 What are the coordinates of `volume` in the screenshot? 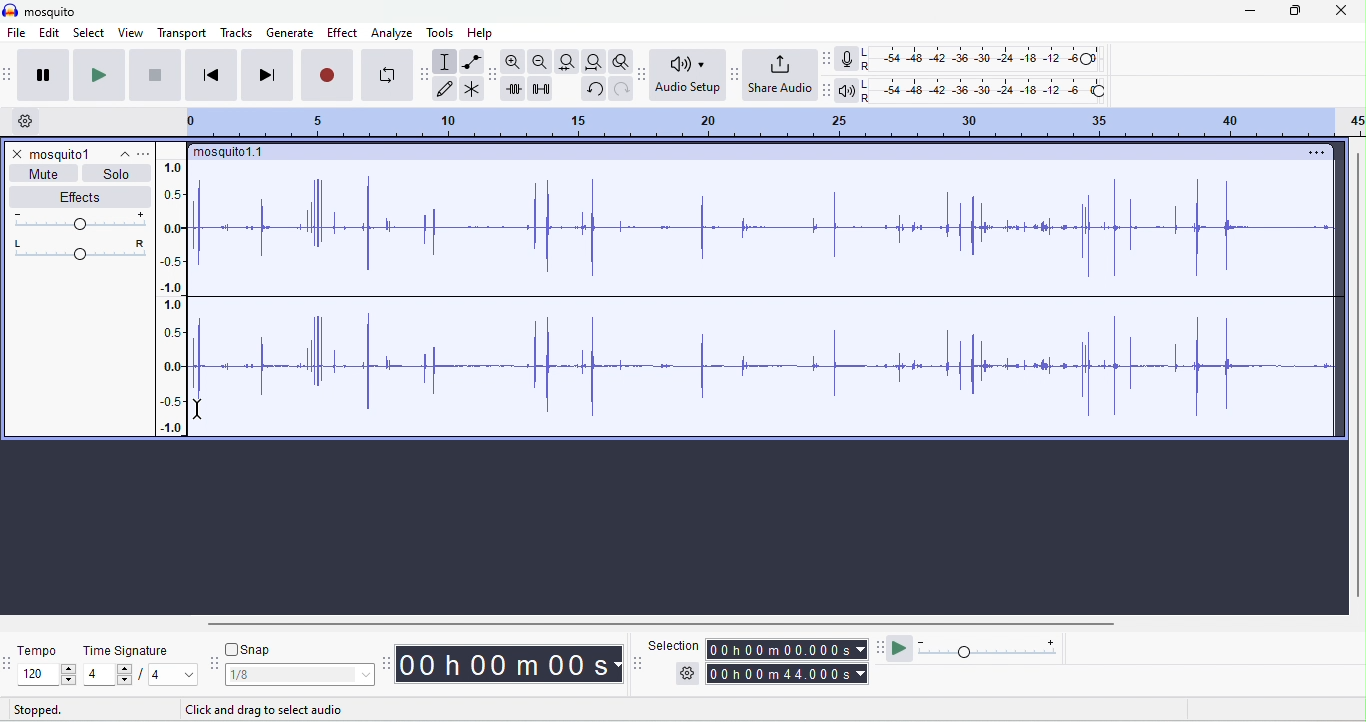 It's located at (79, 221).